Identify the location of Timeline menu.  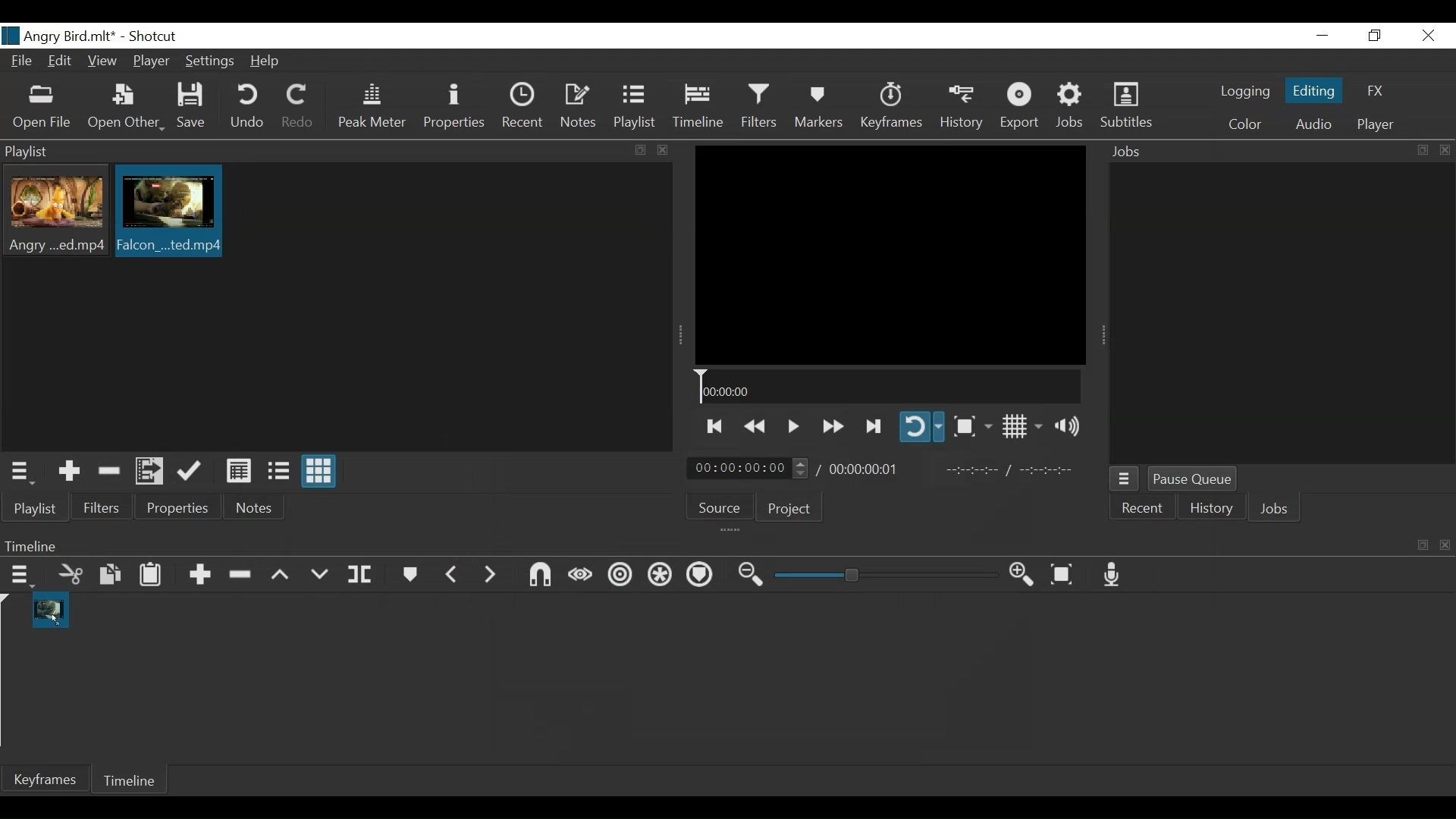
(24, 574).